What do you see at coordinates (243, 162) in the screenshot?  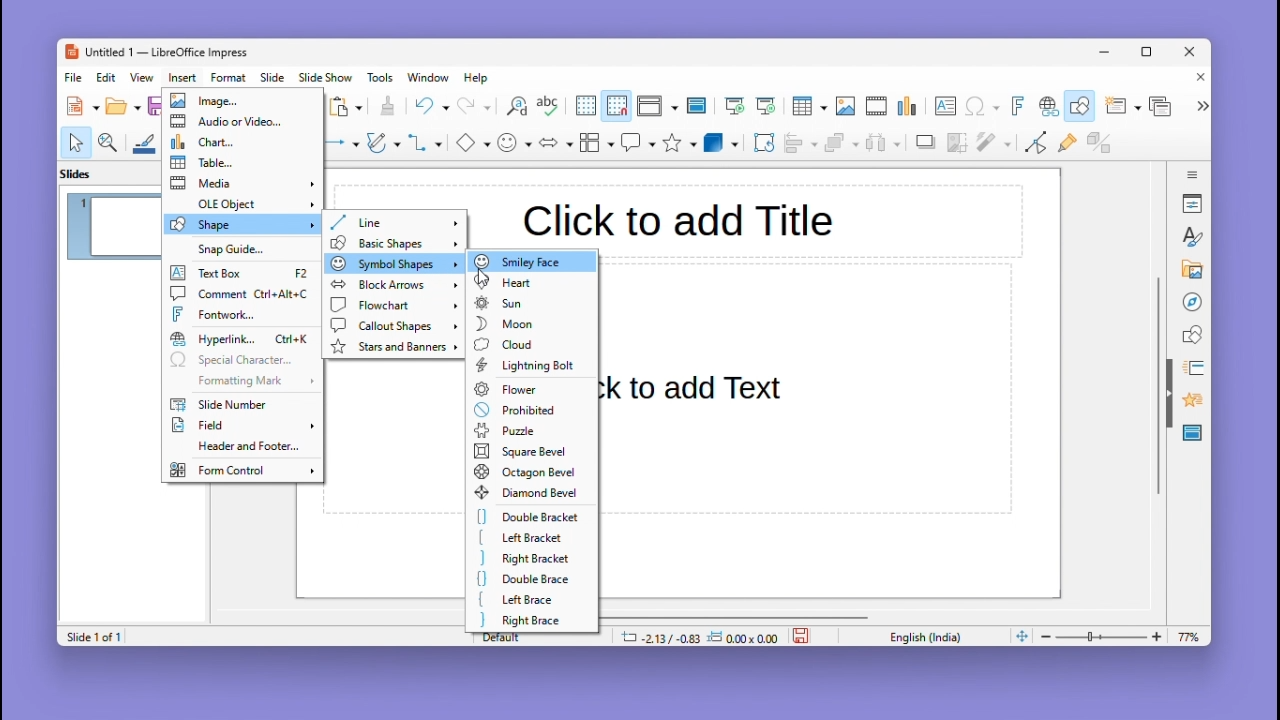 I see `Table` at bounding box center [243, 162].